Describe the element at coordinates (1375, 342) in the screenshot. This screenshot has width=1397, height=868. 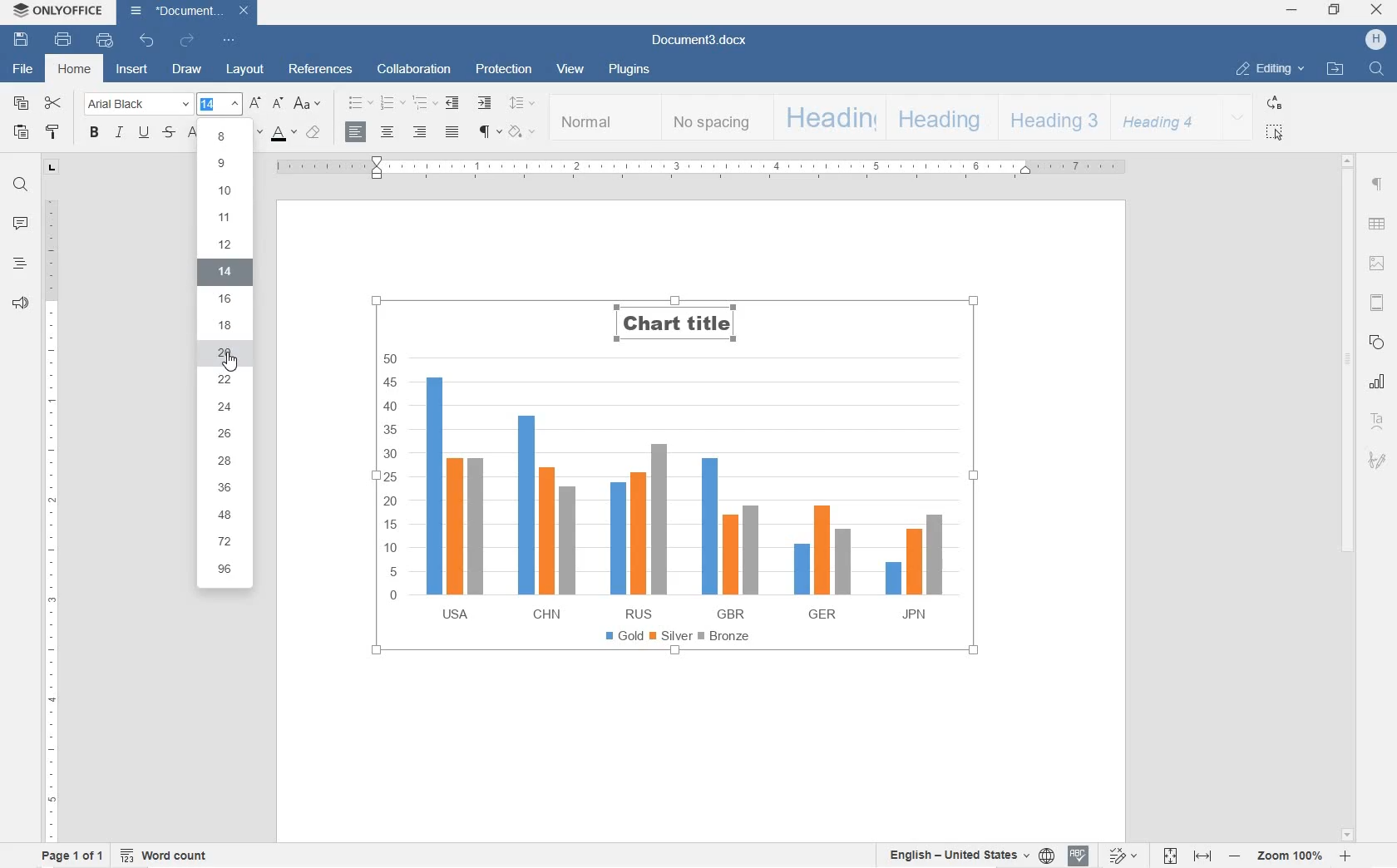
I see `SHAPE` at that location.